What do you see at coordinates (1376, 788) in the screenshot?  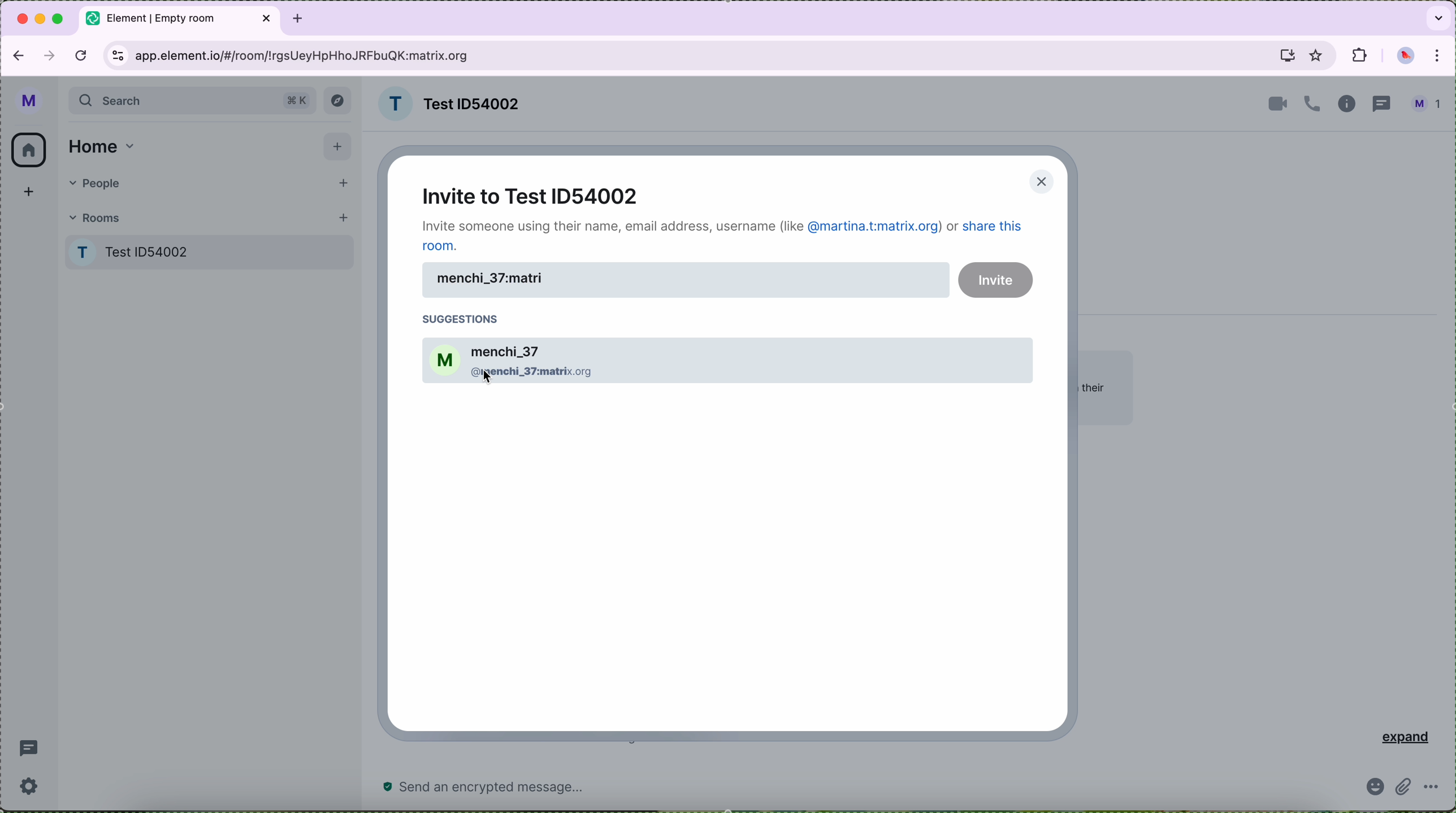 I see `emoji` at bounding box center [1376, 788].